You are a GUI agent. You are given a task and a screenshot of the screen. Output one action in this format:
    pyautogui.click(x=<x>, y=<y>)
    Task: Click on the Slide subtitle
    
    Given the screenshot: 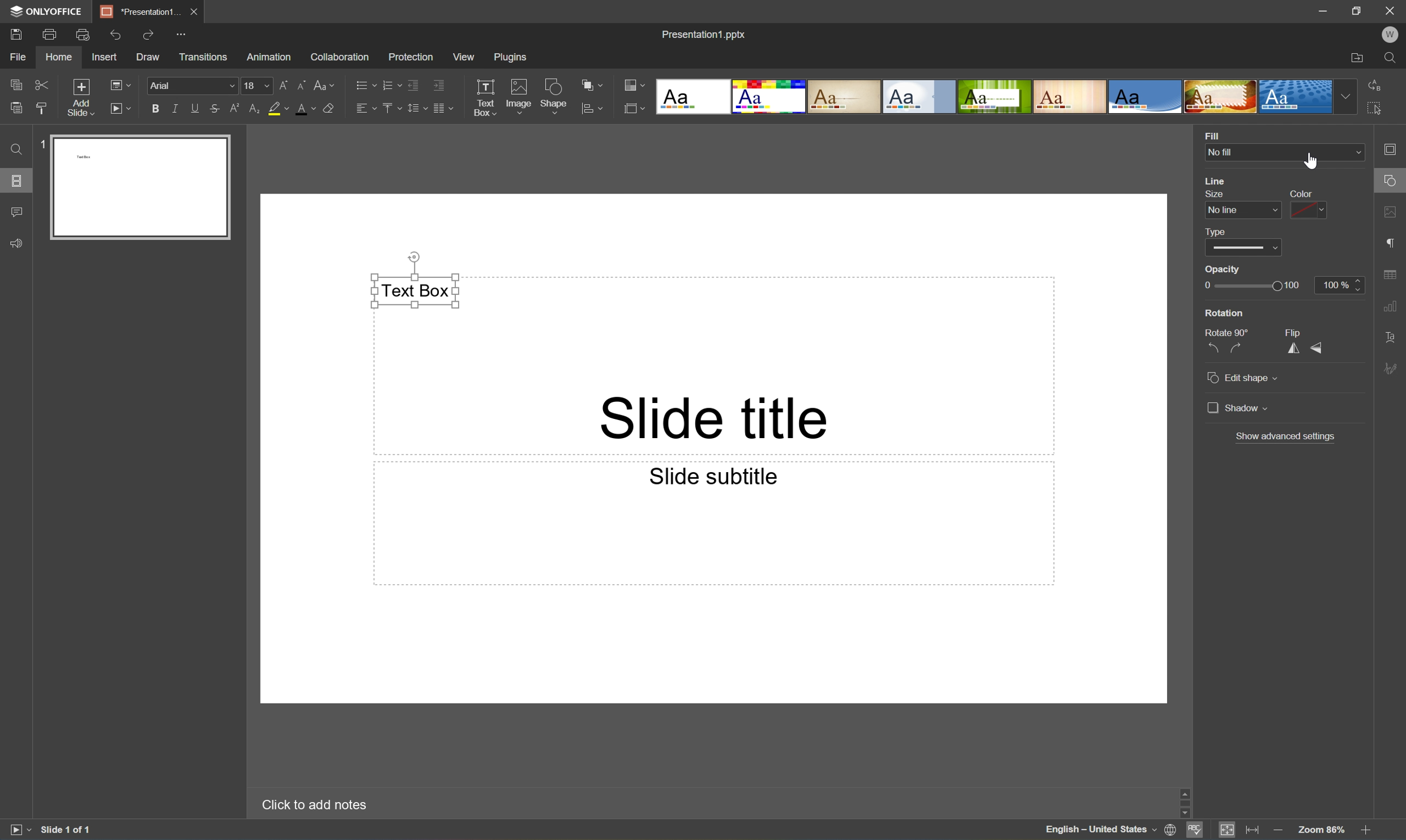 What is the action you would take?
    pyautogui.click(x=718, y=478)
    